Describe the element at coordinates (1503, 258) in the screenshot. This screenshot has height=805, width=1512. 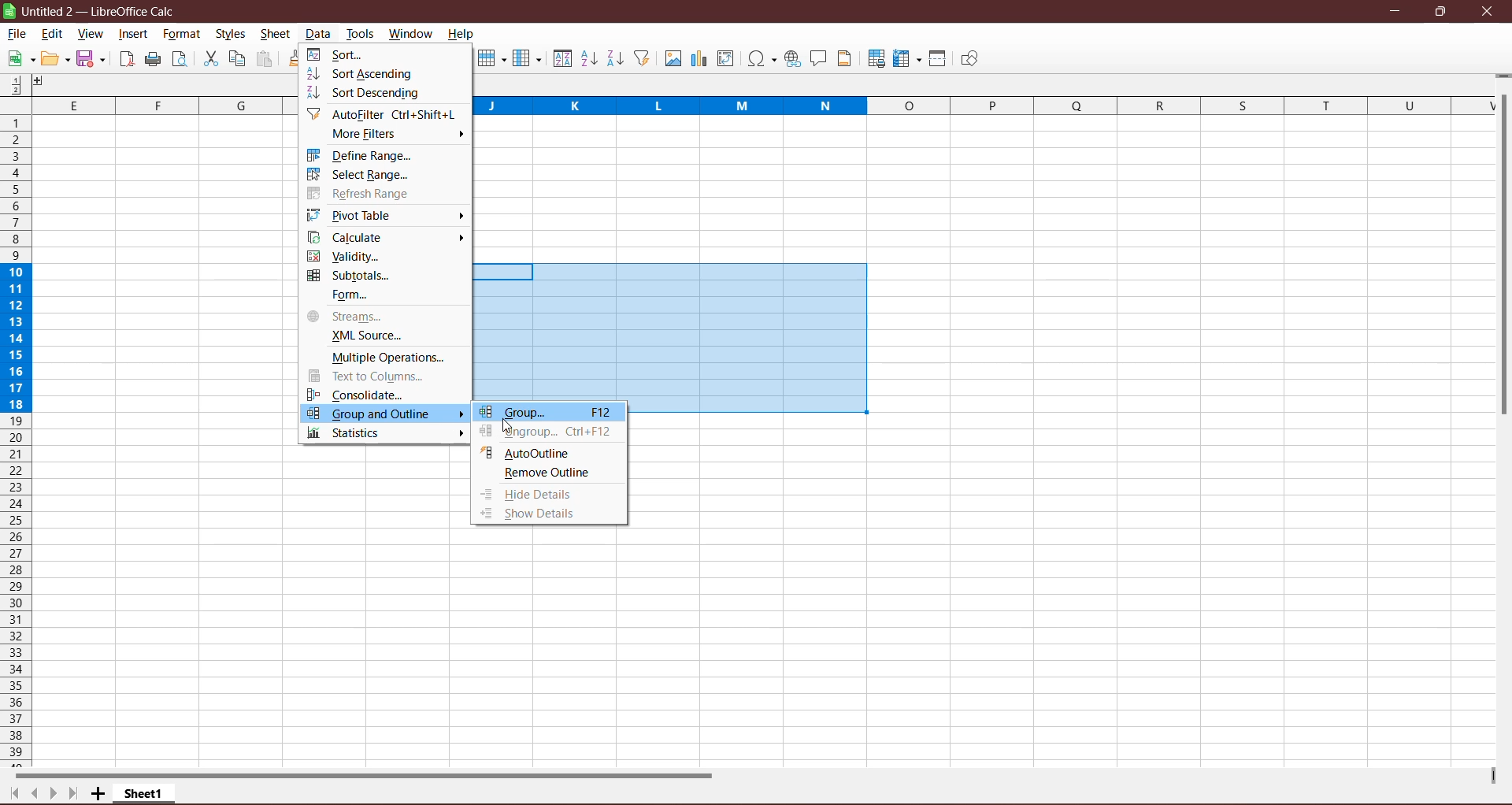
I see `Vertical Scroll Bar` at that location.